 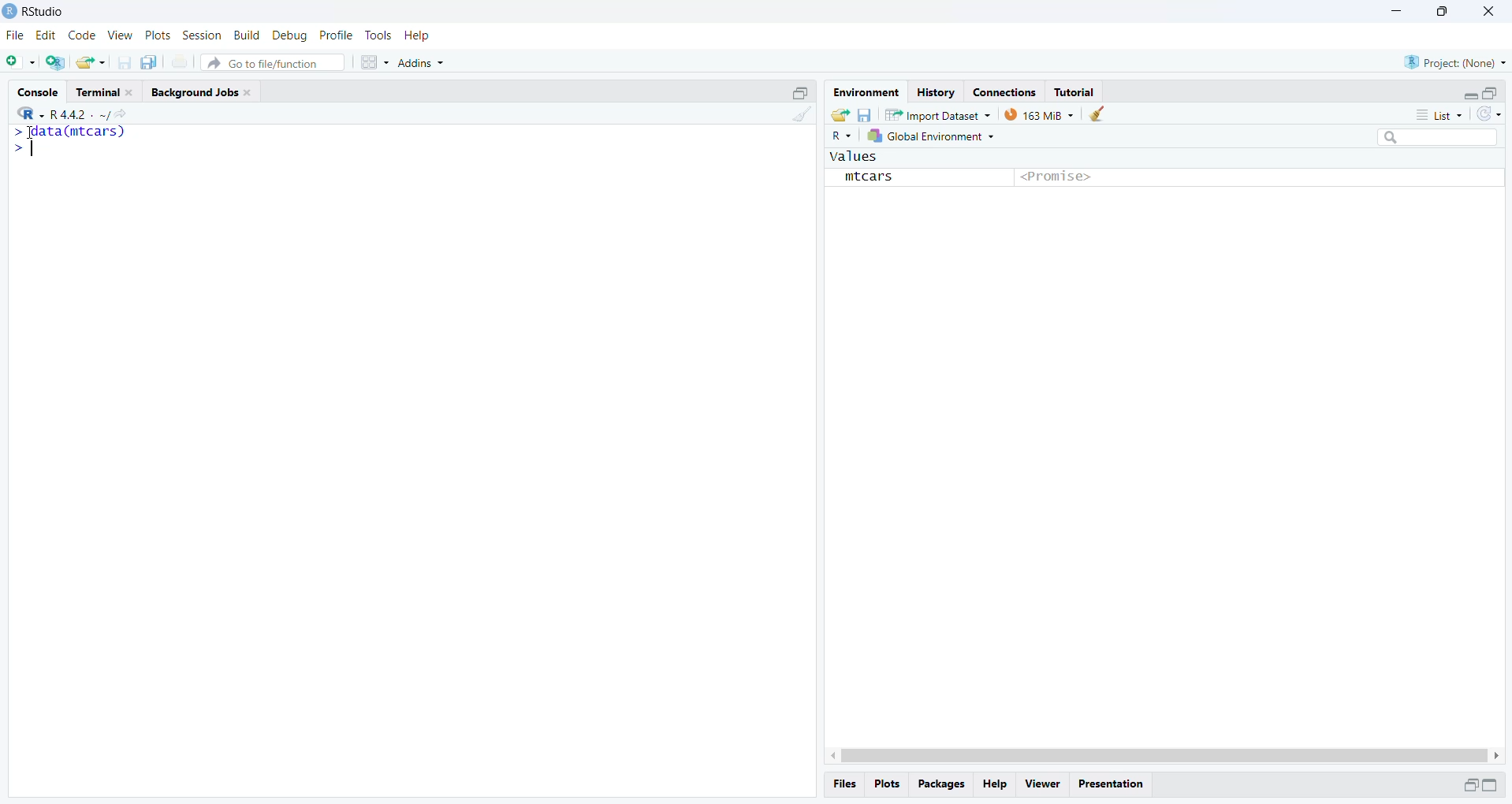 What do you see at coordinates (32, 114) in the screenshot?
I see `R ` at bounding box center [32, 114].